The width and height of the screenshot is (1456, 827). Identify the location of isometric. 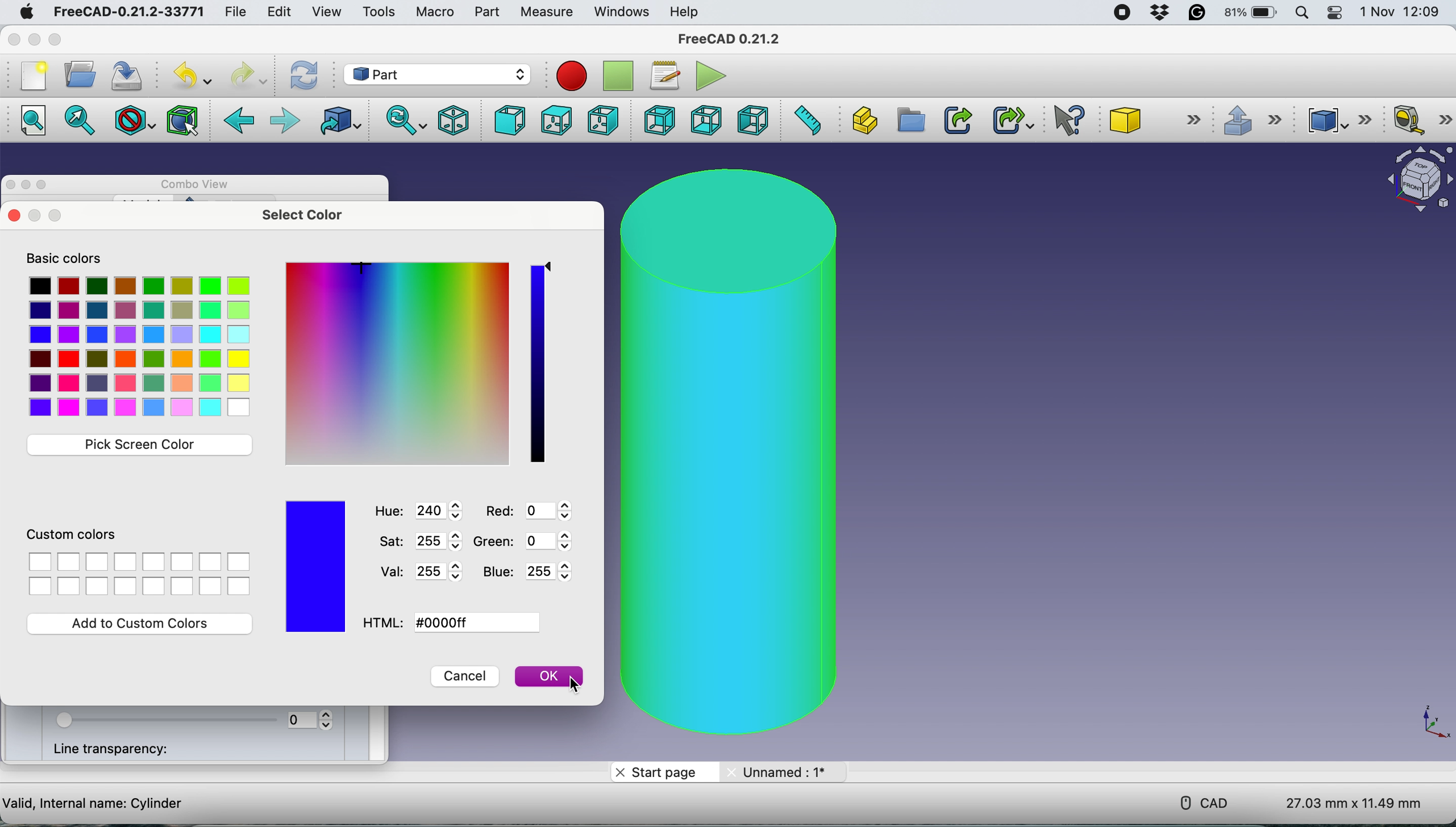
(452, 120).